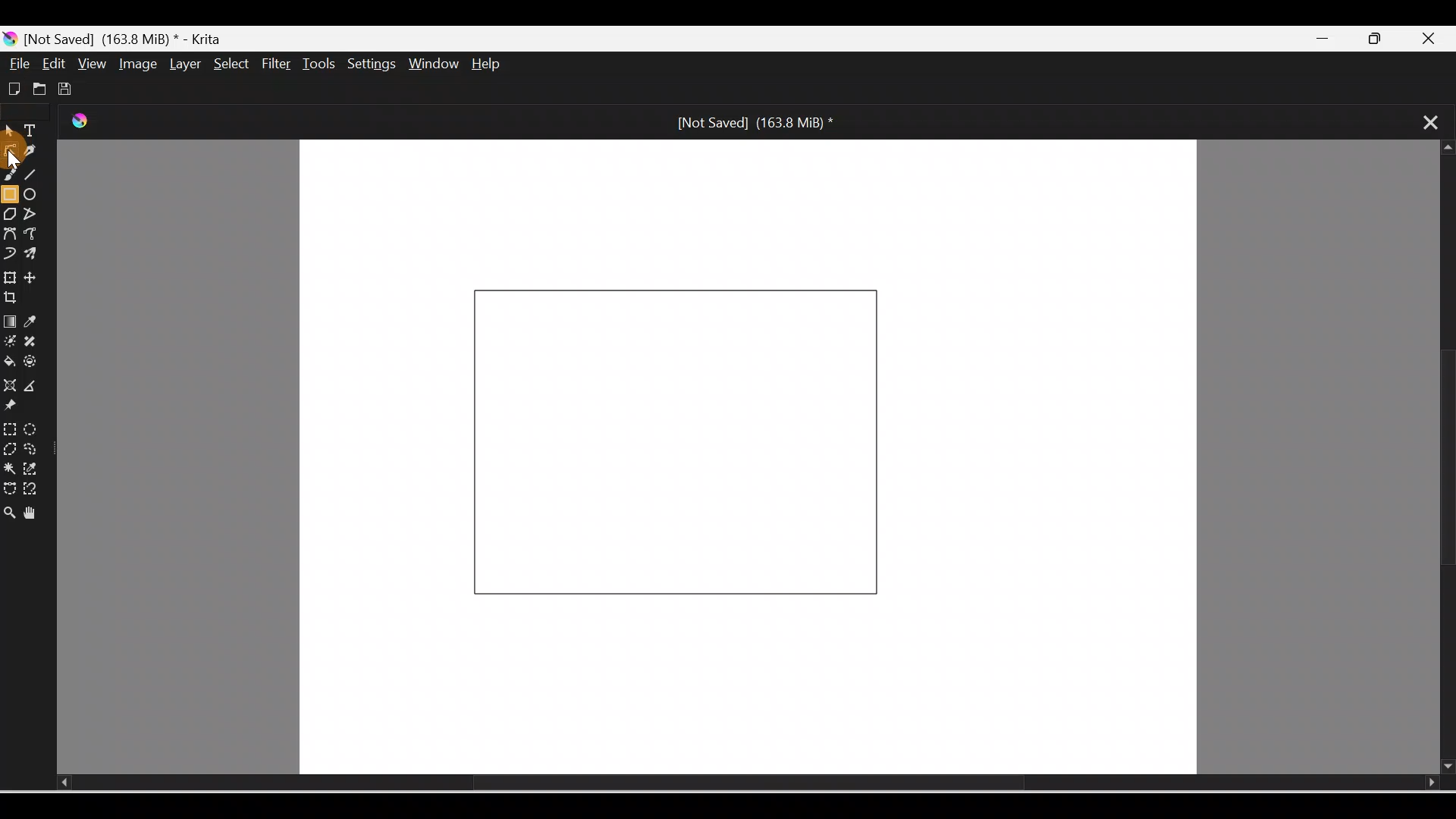 Image resolution: width=1456 pixels, height=819 pixels. What do you see at coordinates (751, 121) in the screenshot?
I see `[Not Saved] (171.2 MiB) * ` at bounding box center [751, 121].